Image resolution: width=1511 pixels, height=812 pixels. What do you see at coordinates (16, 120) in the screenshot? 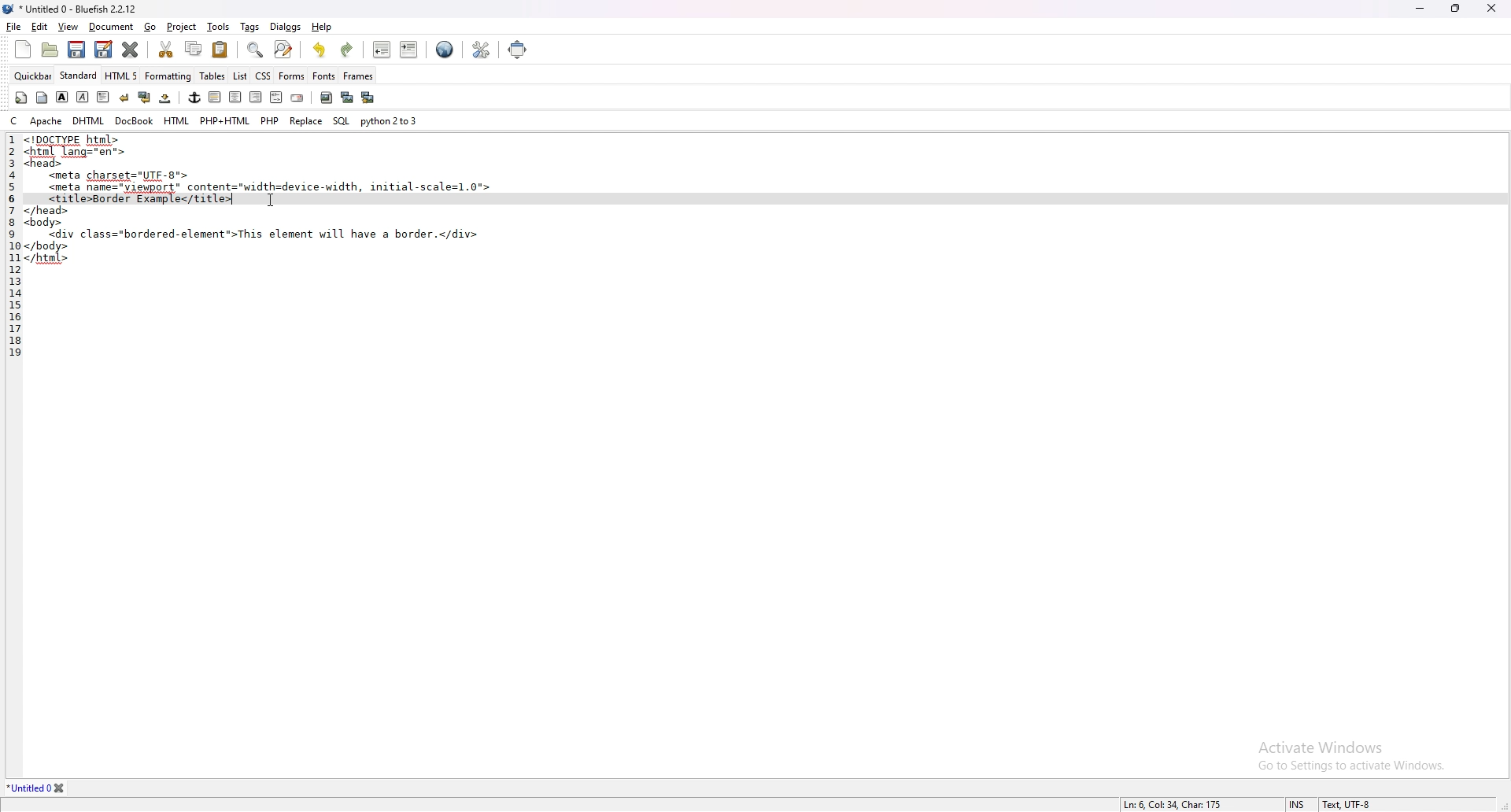
I see `c` at bounding box center [16, 120].